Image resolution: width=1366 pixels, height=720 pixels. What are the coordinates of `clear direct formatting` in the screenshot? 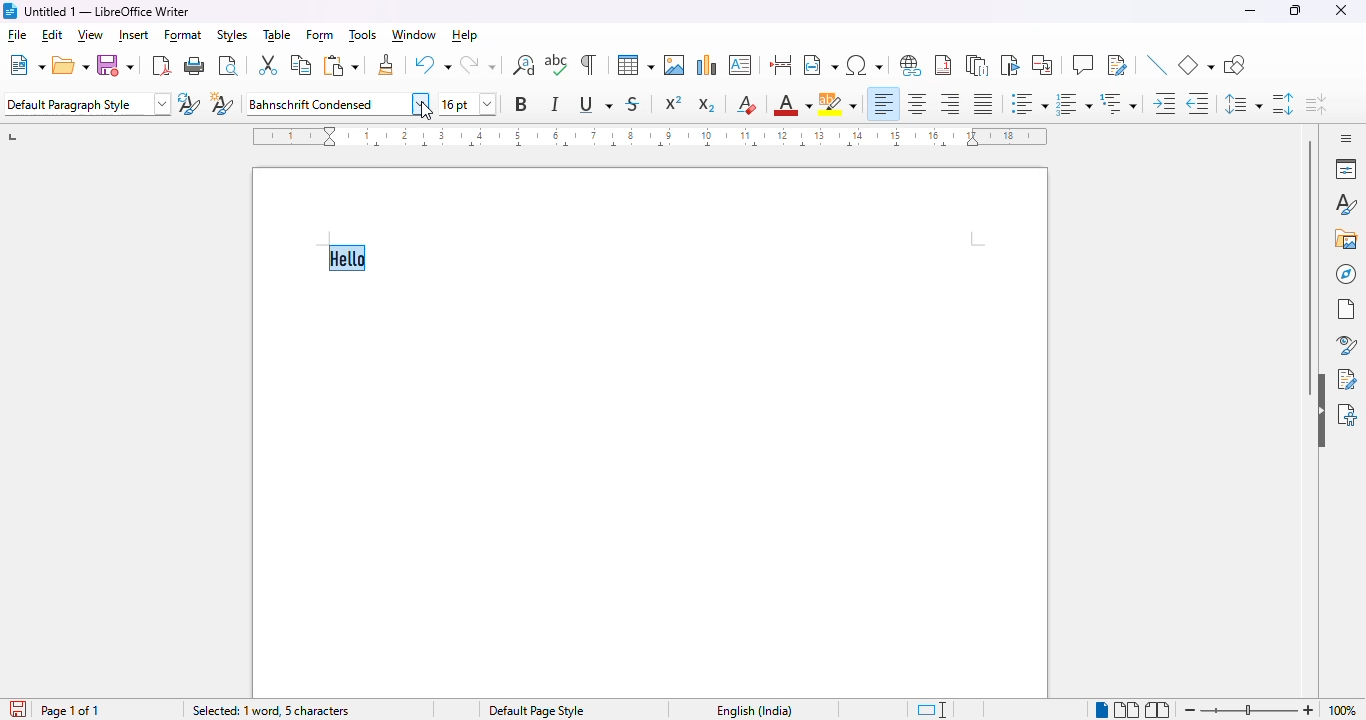 It's located at (748, 104).